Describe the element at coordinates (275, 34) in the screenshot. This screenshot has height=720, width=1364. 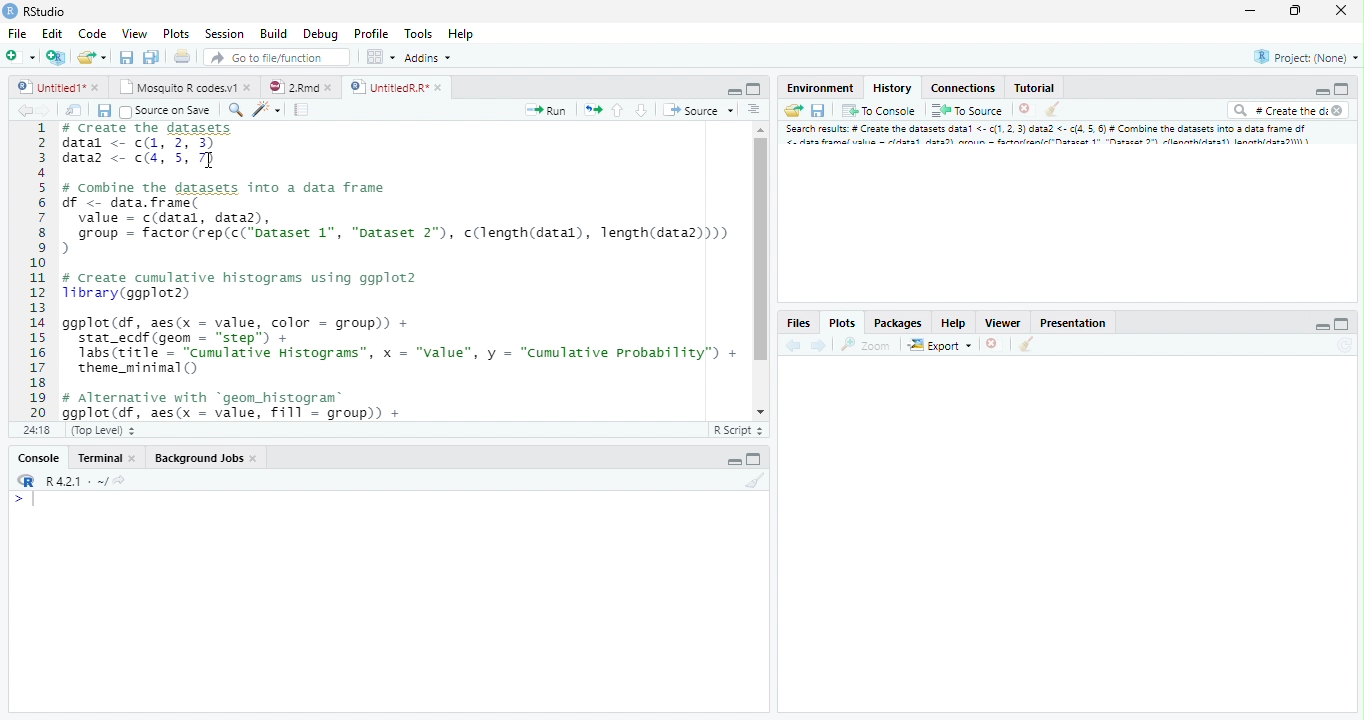
I see `Build` at that location.